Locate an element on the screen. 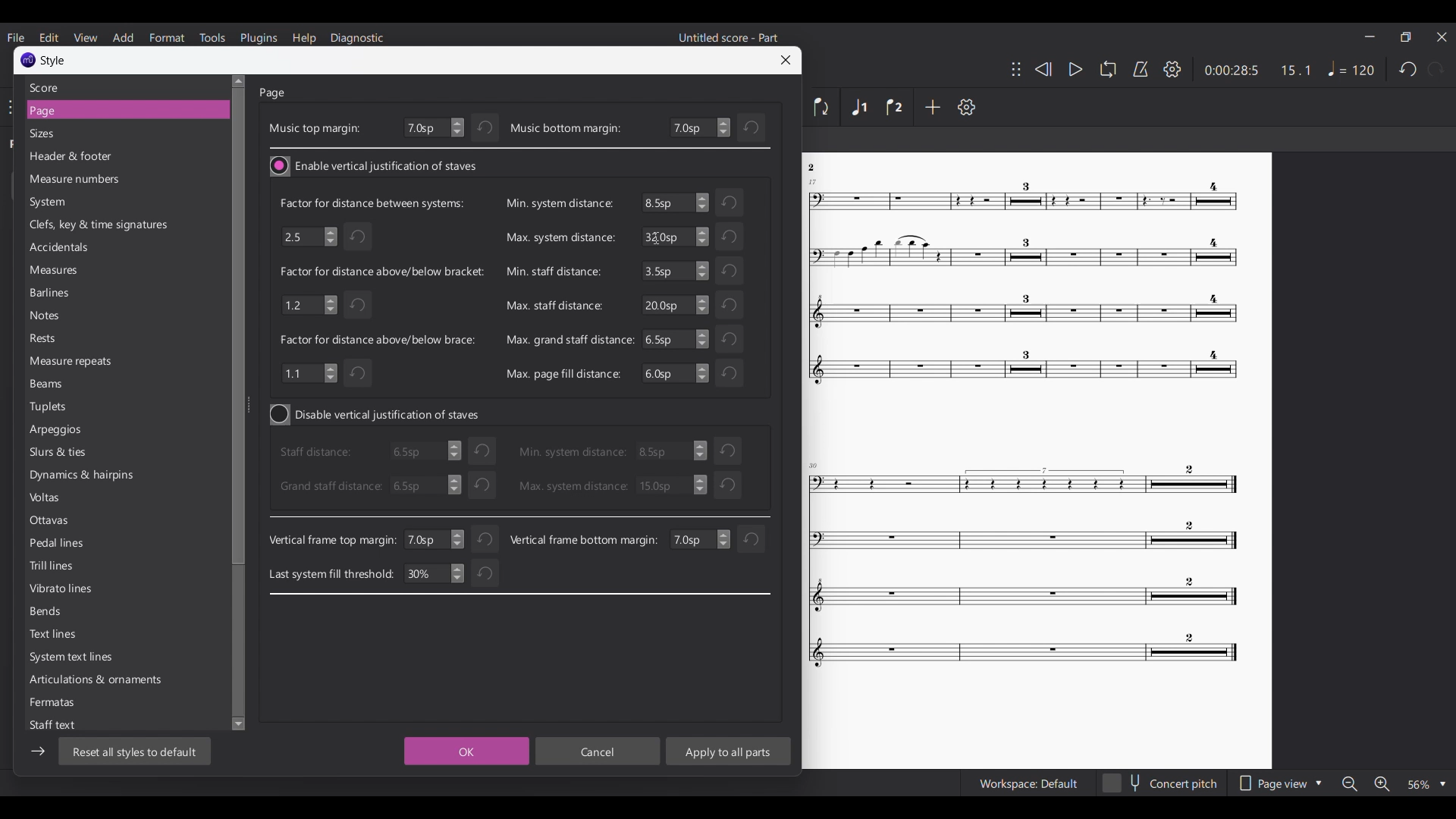  Help menu is located at coordinates (303, 39).